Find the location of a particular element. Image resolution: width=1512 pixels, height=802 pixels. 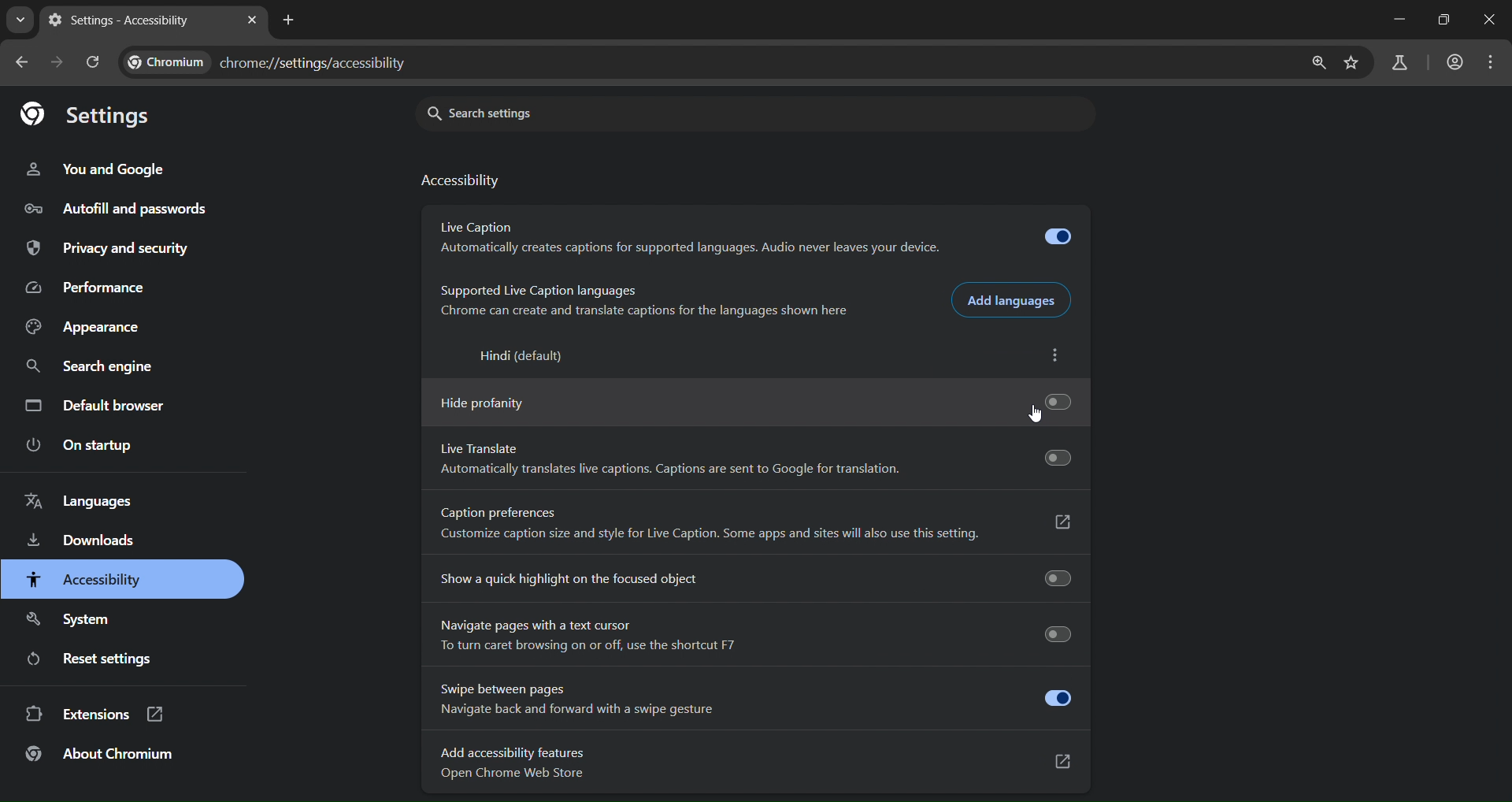

Live Translate
Automatically translates live captions. Captions are sent to Google for translation. is located at coordinates (753, 459).